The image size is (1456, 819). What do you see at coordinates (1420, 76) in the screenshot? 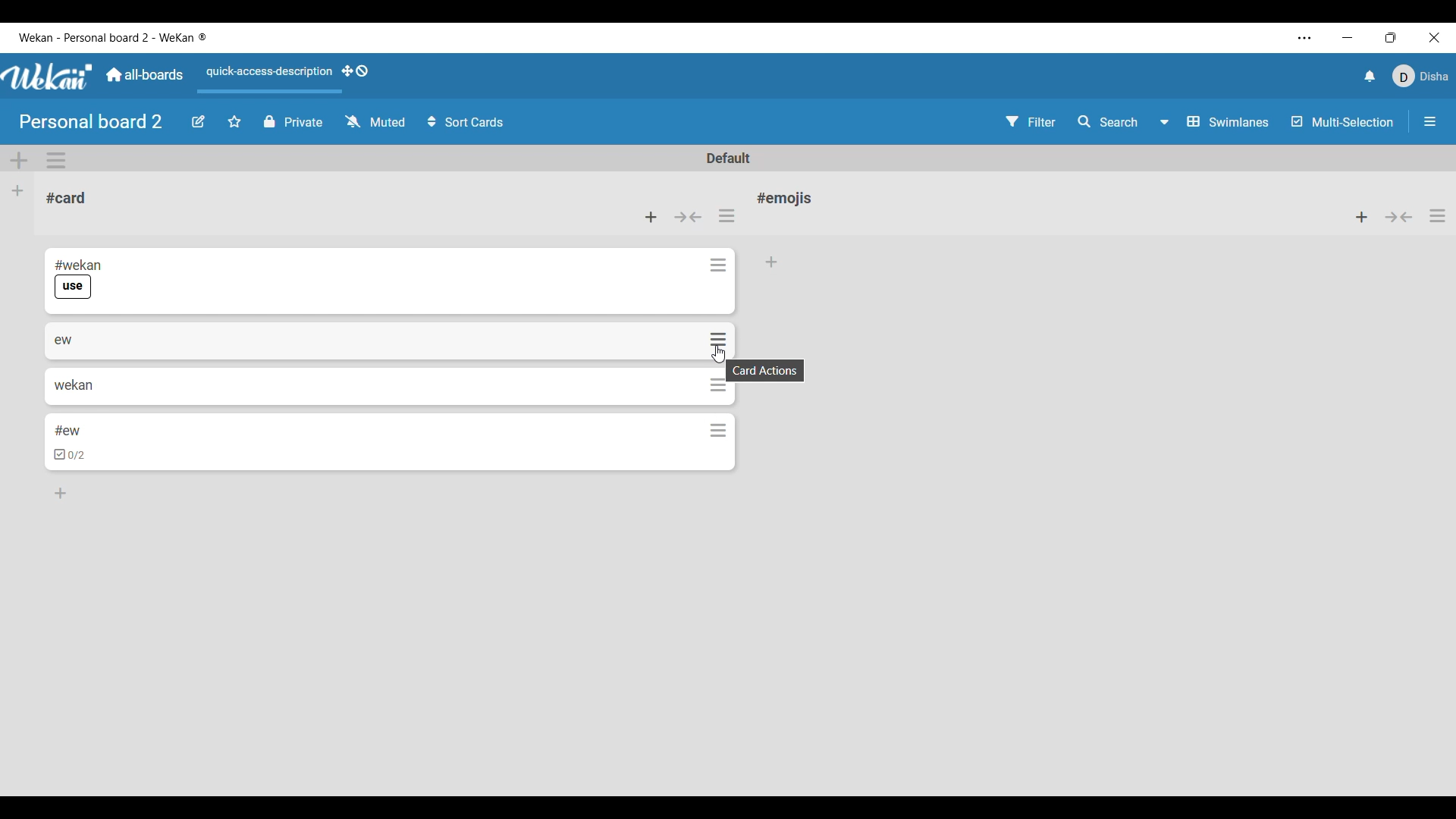
I see `Current account` at bounding box center [1420, 76].